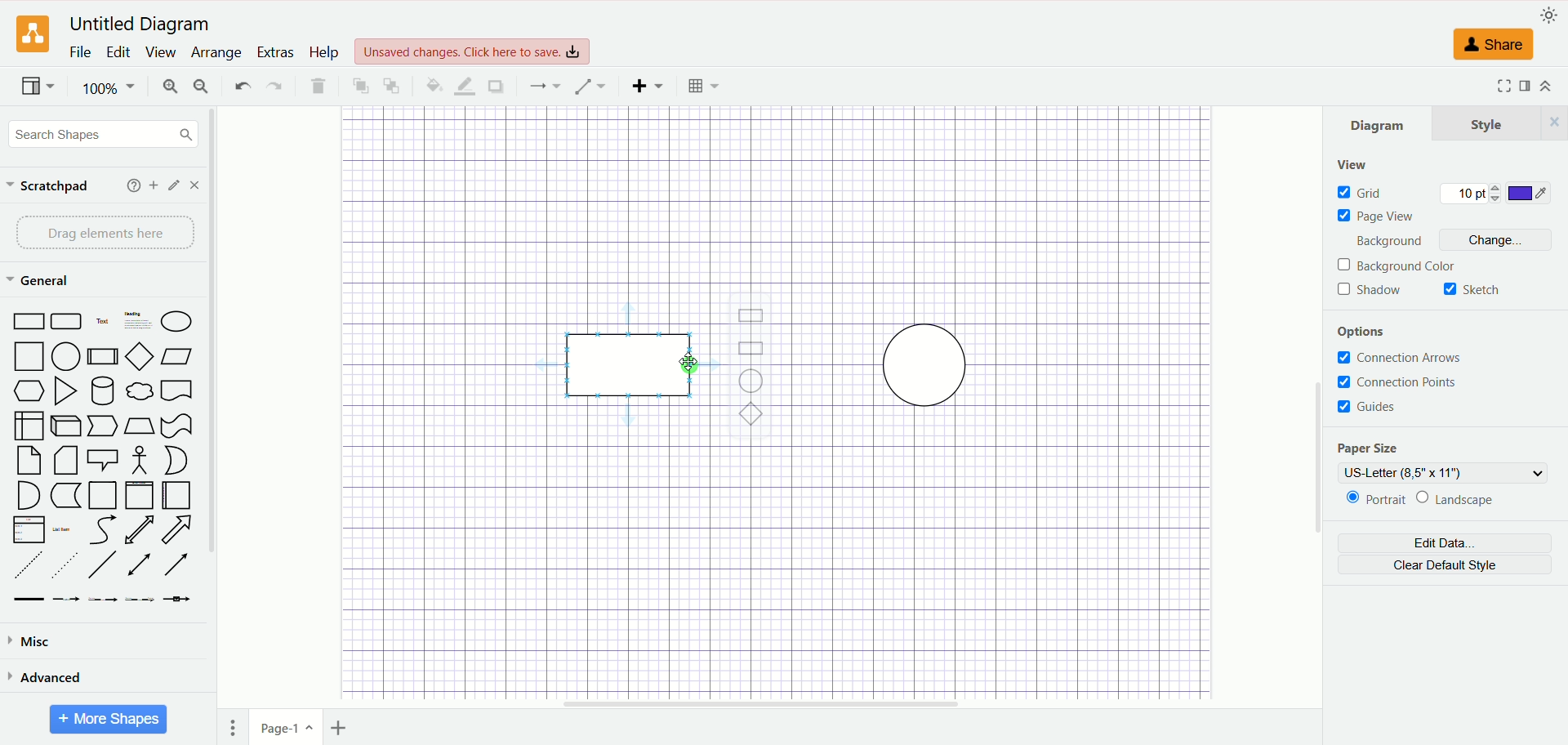  What do you see at coordinates (431, 85) in the screenshot?
I see `fill color` at bounding box center [431, 85].